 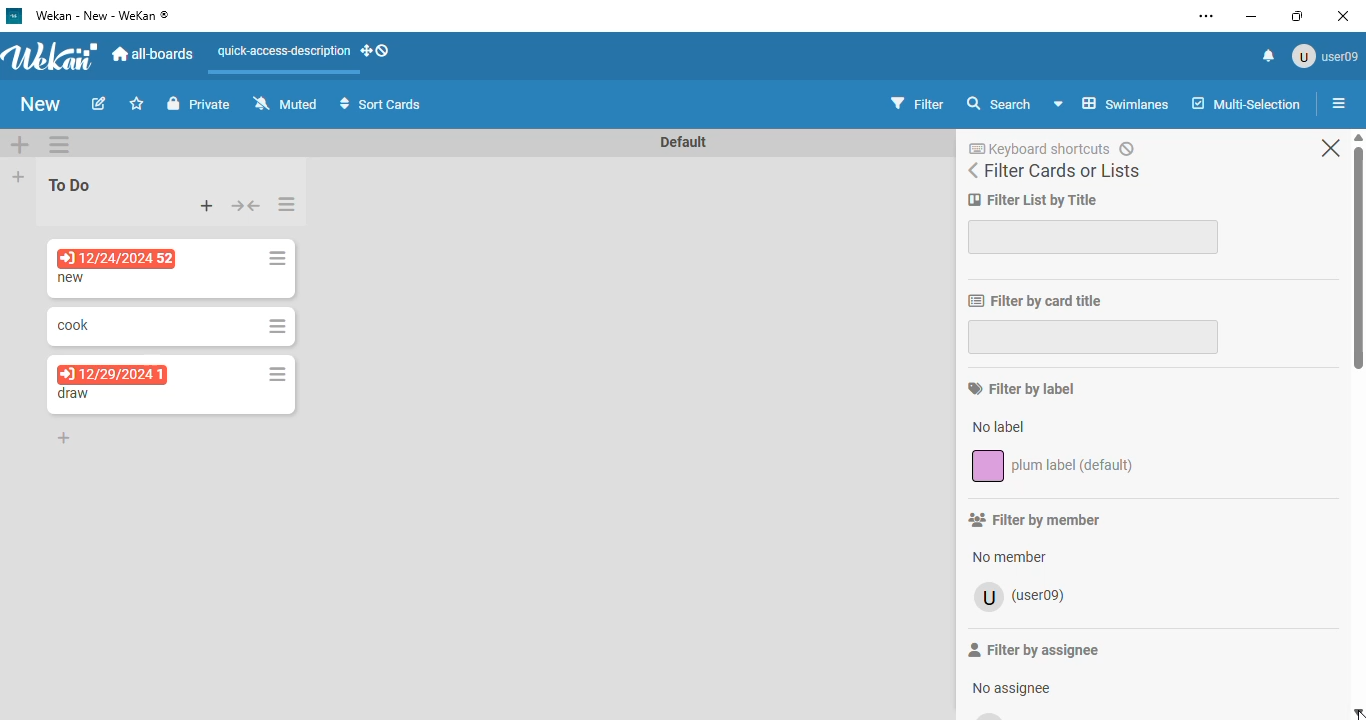 I want to click on card name, so click(x=73, y=325).